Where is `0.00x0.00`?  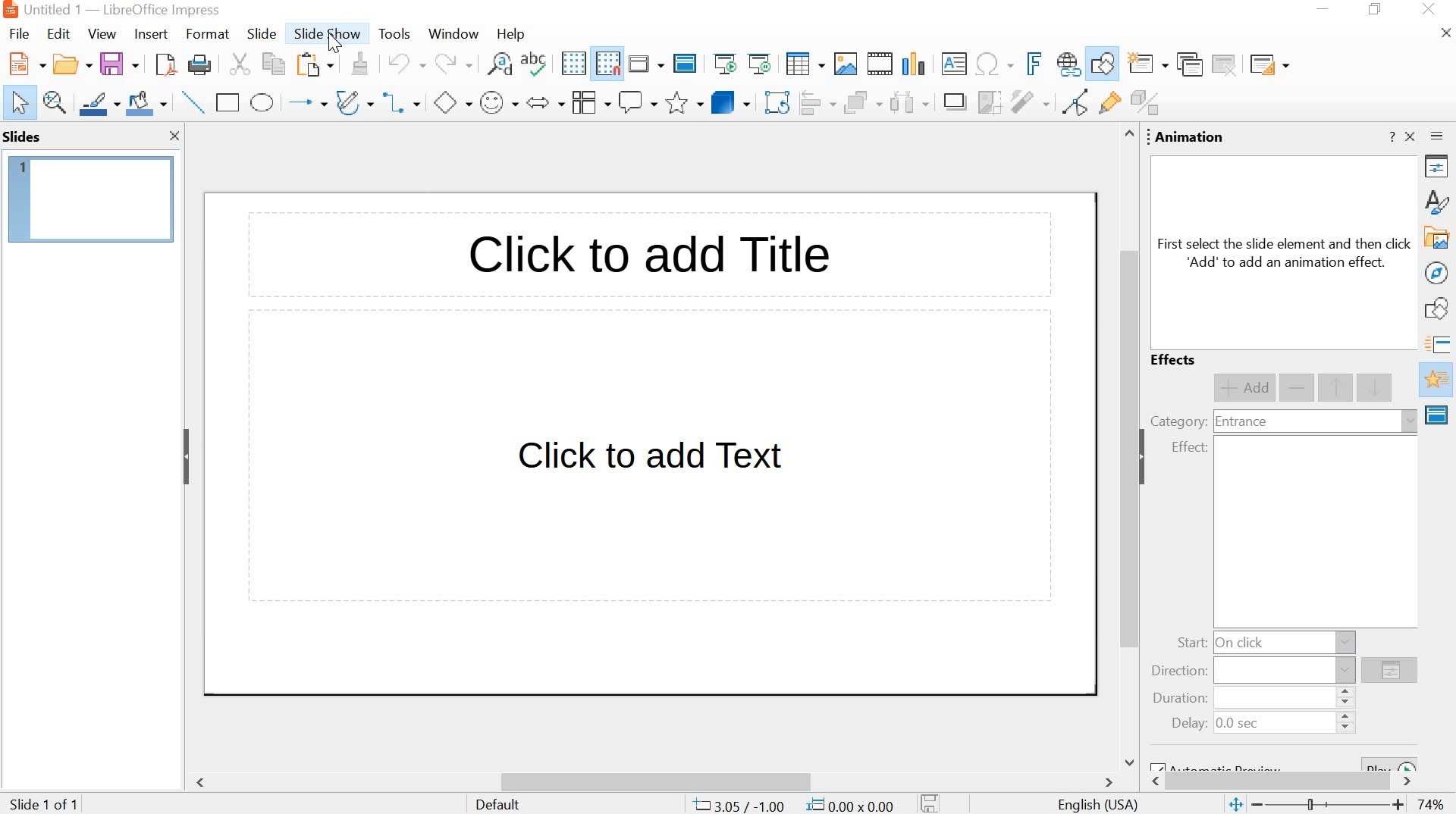
0.00x0.00 is located at coordinates (852, 803).